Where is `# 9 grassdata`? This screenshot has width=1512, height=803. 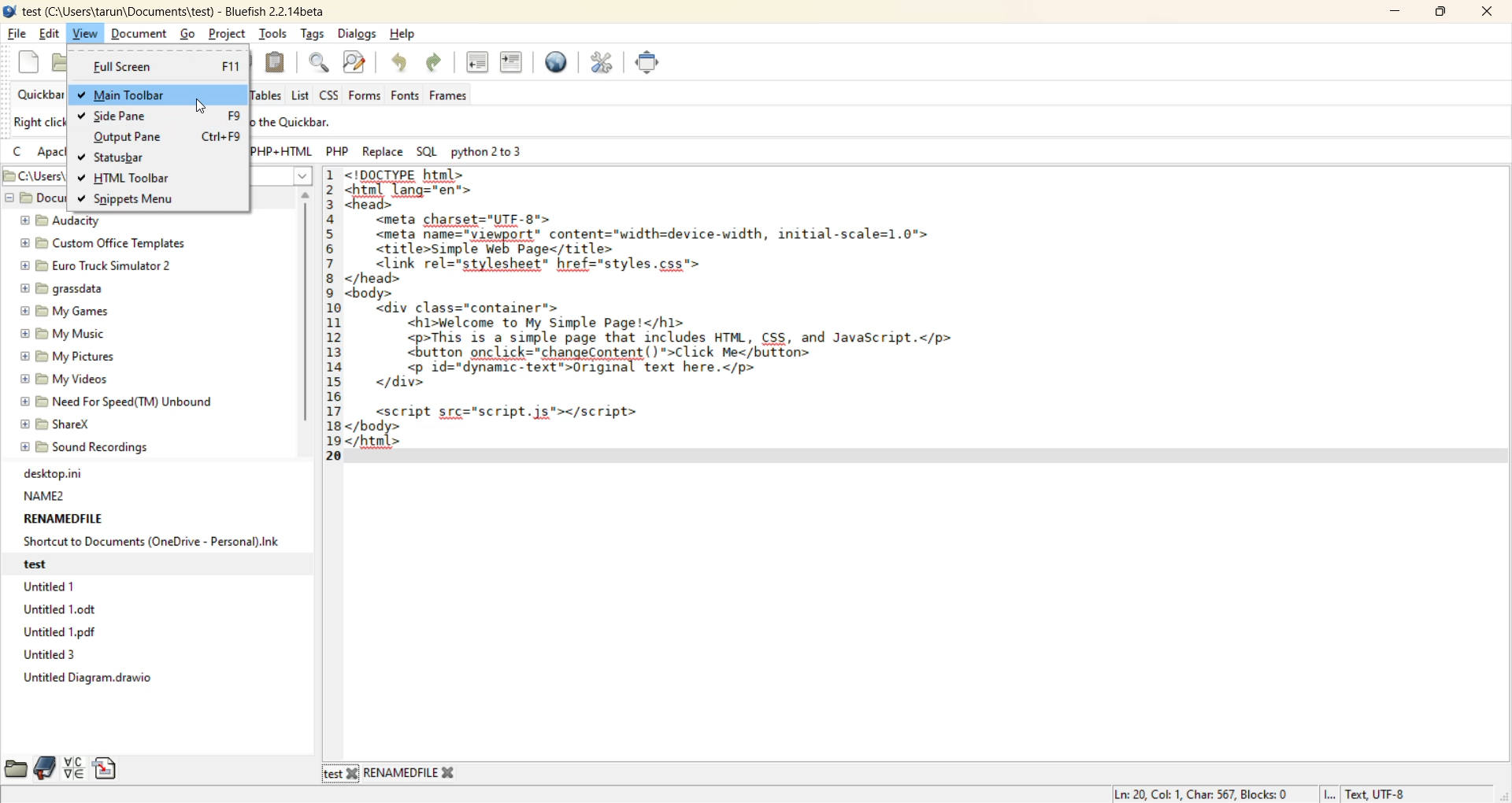
# 9 grassdata is located at coordinates (60, 290).